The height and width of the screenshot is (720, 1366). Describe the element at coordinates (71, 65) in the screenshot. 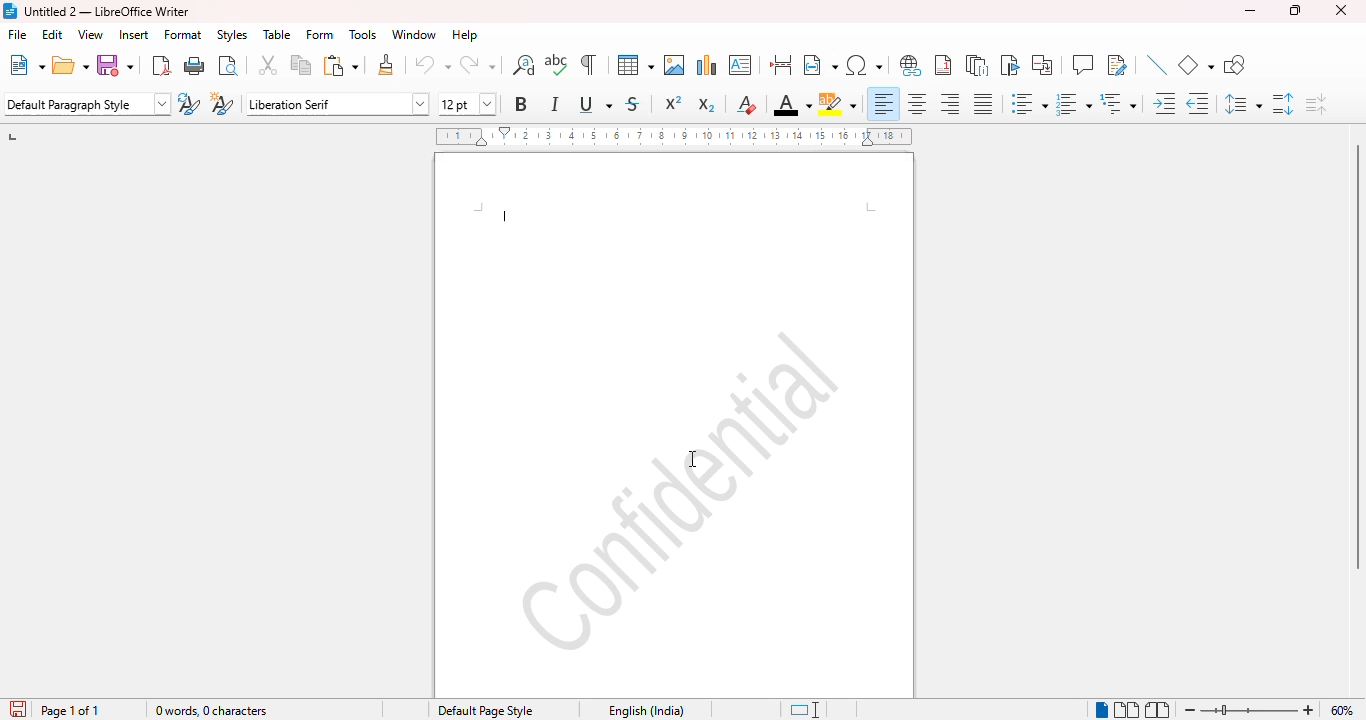

I see `open` at that location.